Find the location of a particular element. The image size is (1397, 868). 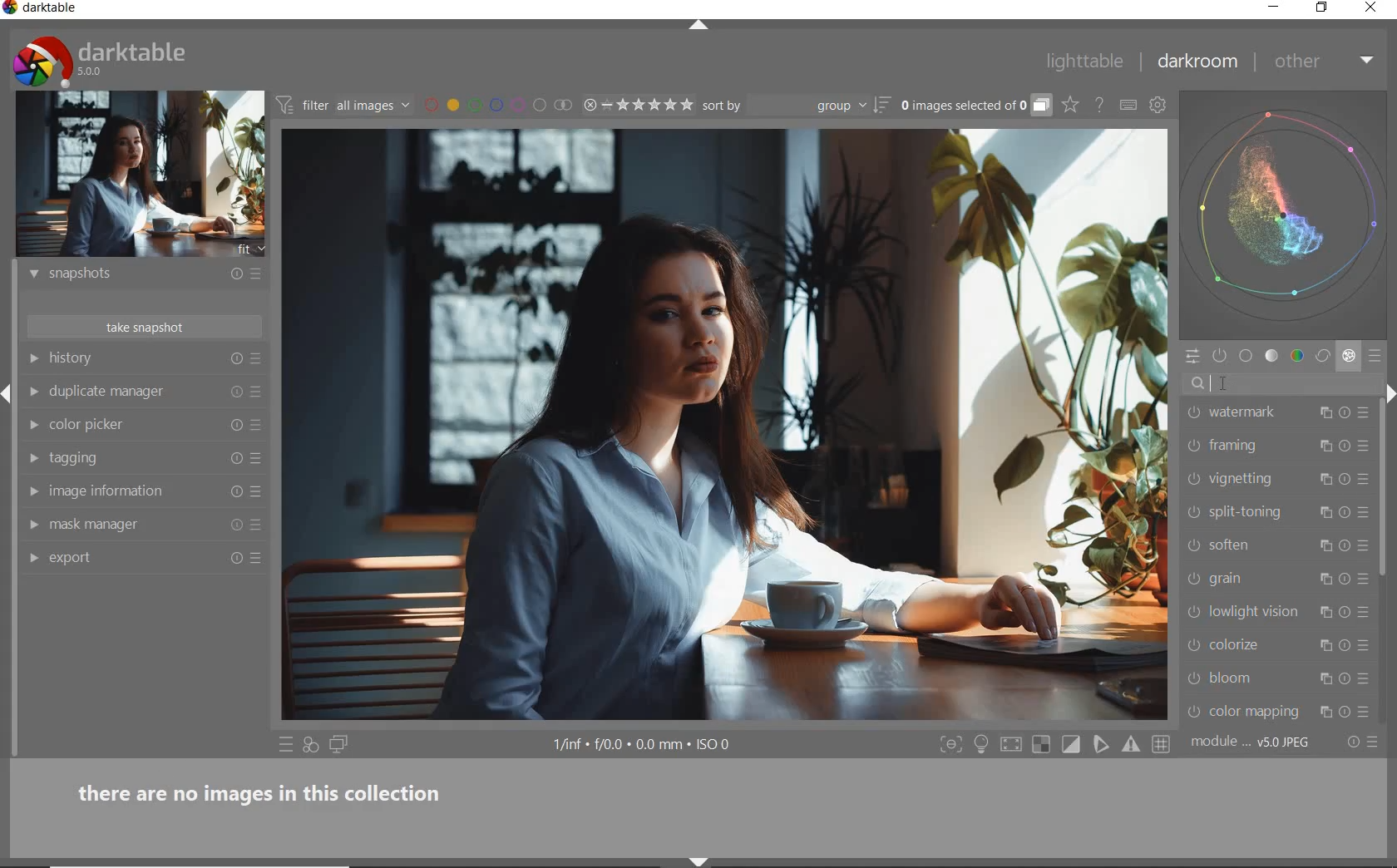

color mapping is located at coordinates (1258, 711).